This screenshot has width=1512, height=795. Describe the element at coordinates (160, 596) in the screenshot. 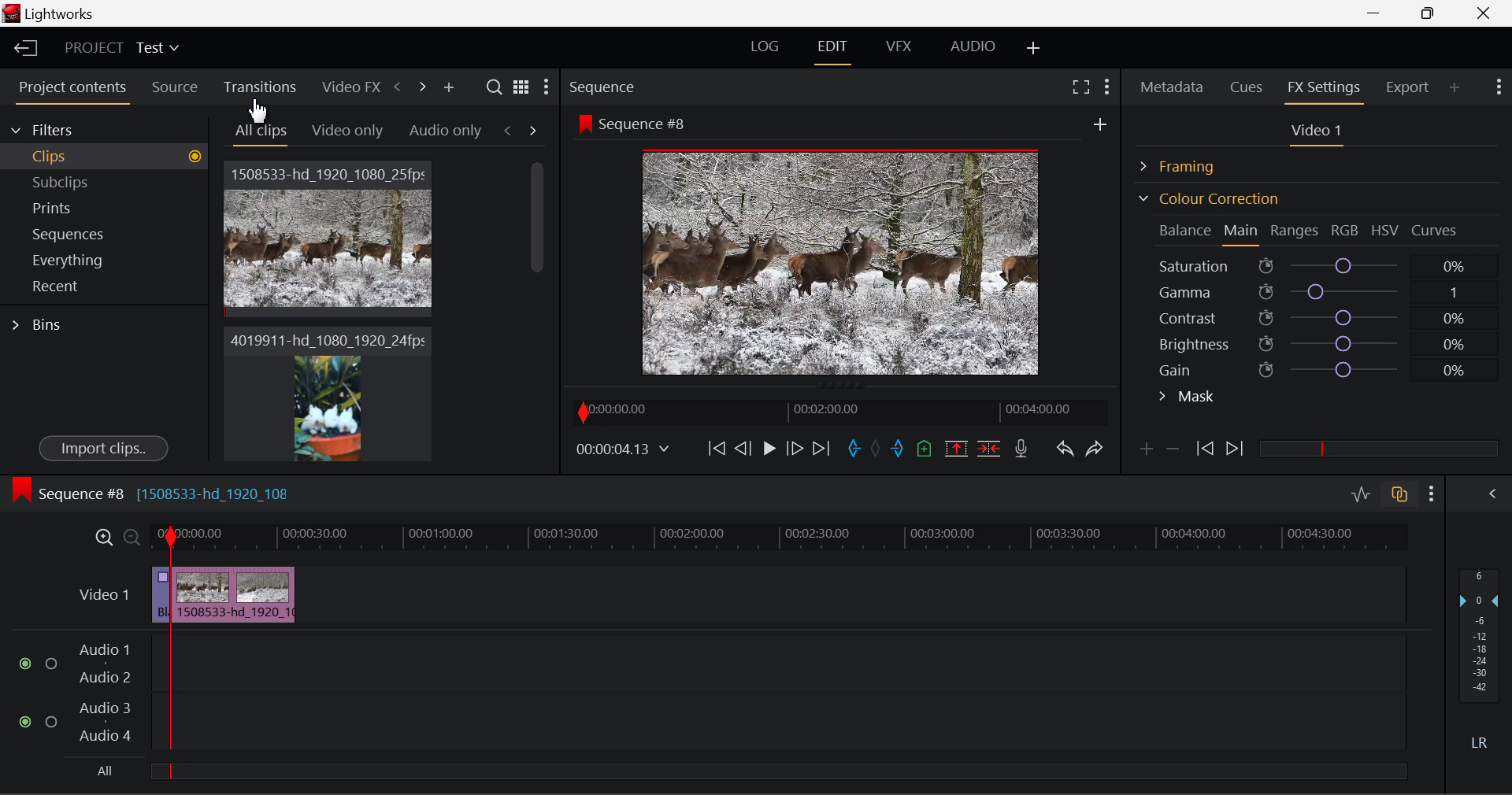

I see `Clip 1 Segment` at that location.